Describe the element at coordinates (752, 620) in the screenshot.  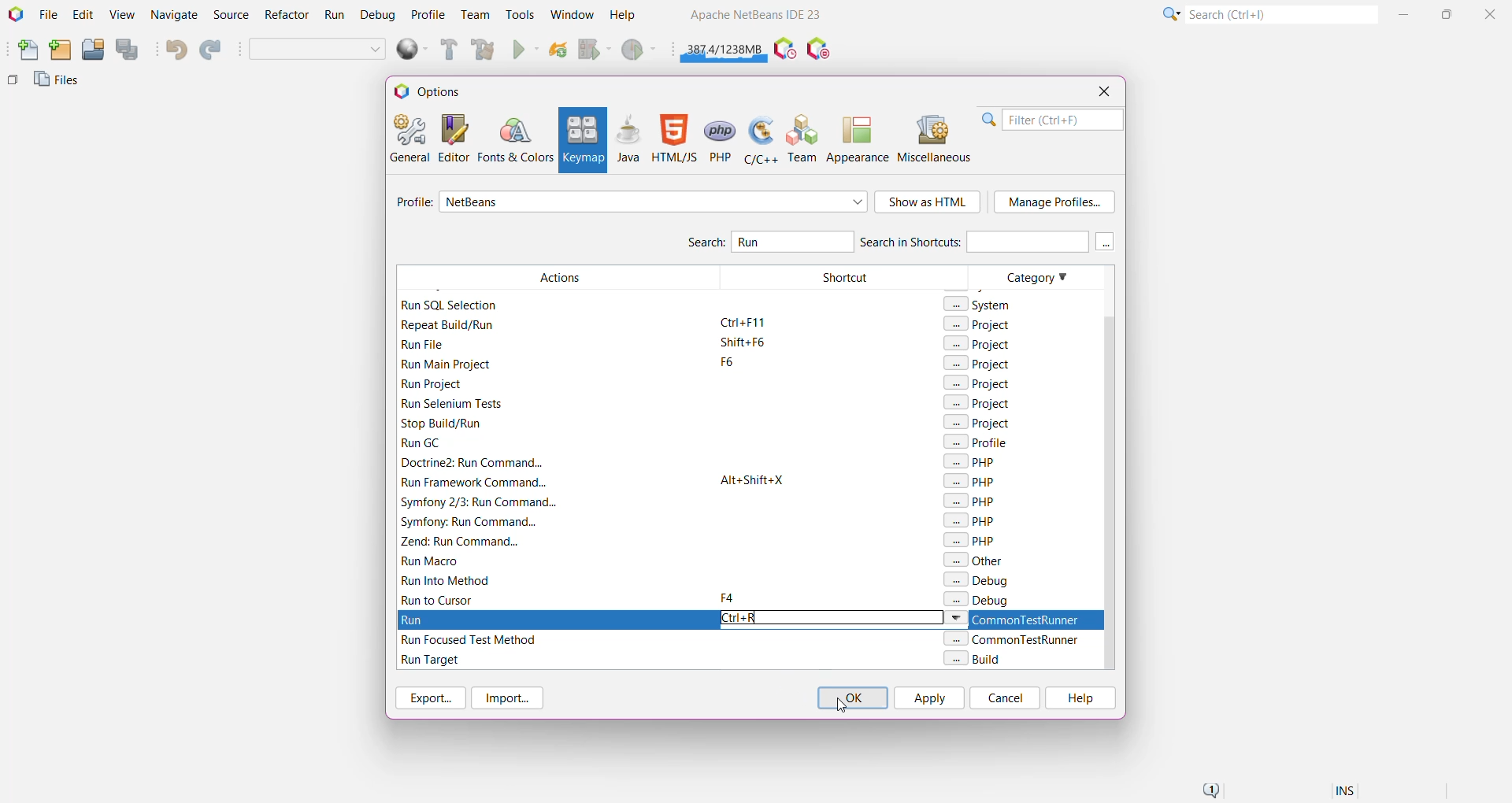
I see `Keyboard Shortcut 'Ctrl+R' set for Run Action` at that location.